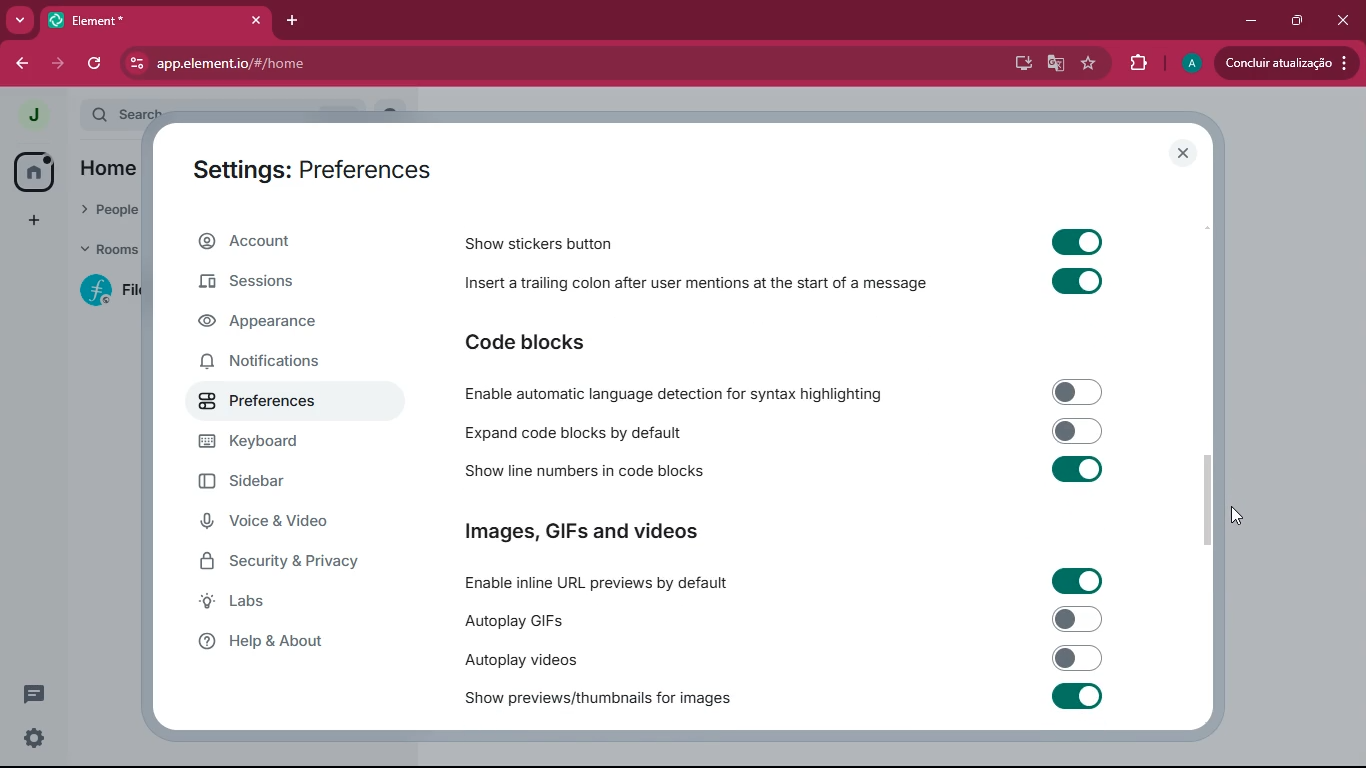 The width and height of the screenshot is (1366, 768). What do you see at coordinates (1077, 696) in the screenshot?
I see `` at bounding box center [1077, 696].